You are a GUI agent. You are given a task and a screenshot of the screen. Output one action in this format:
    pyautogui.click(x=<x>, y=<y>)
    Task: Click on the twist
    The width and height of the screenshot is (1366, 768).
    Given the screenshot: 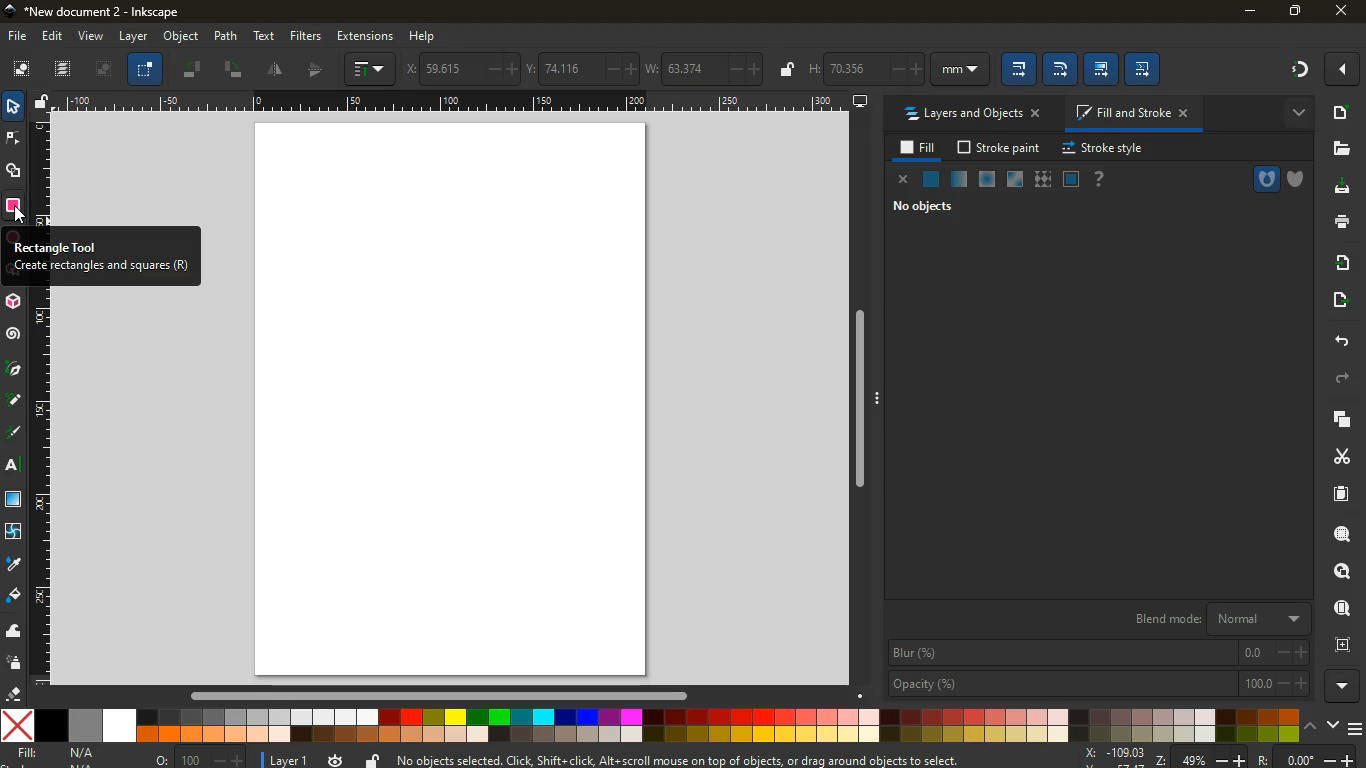 What is the action you would take?
    pyautogui.click(x=15, y=533)
    